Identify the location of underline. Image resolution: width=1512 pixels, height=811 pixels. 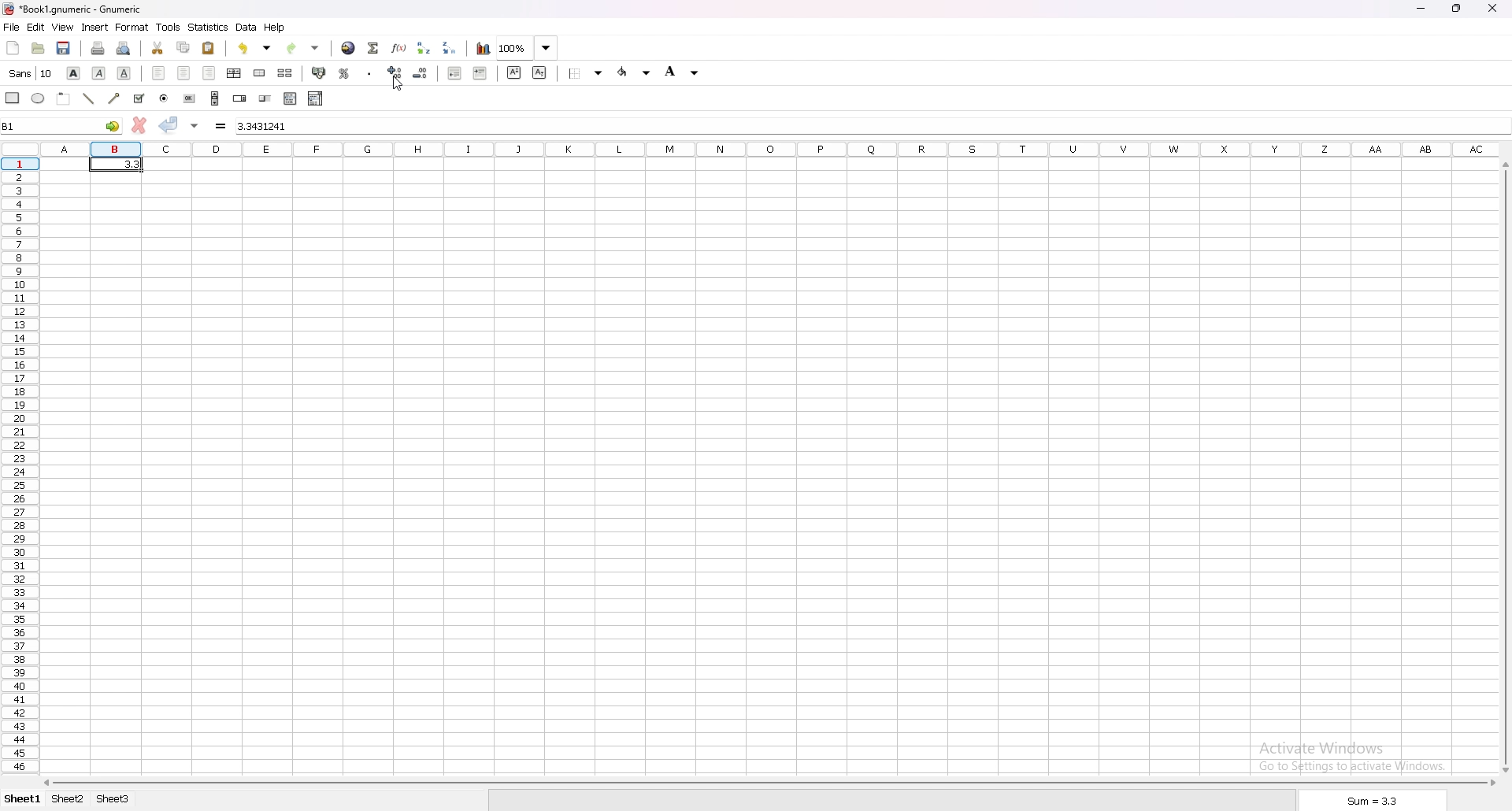
(124, 74).